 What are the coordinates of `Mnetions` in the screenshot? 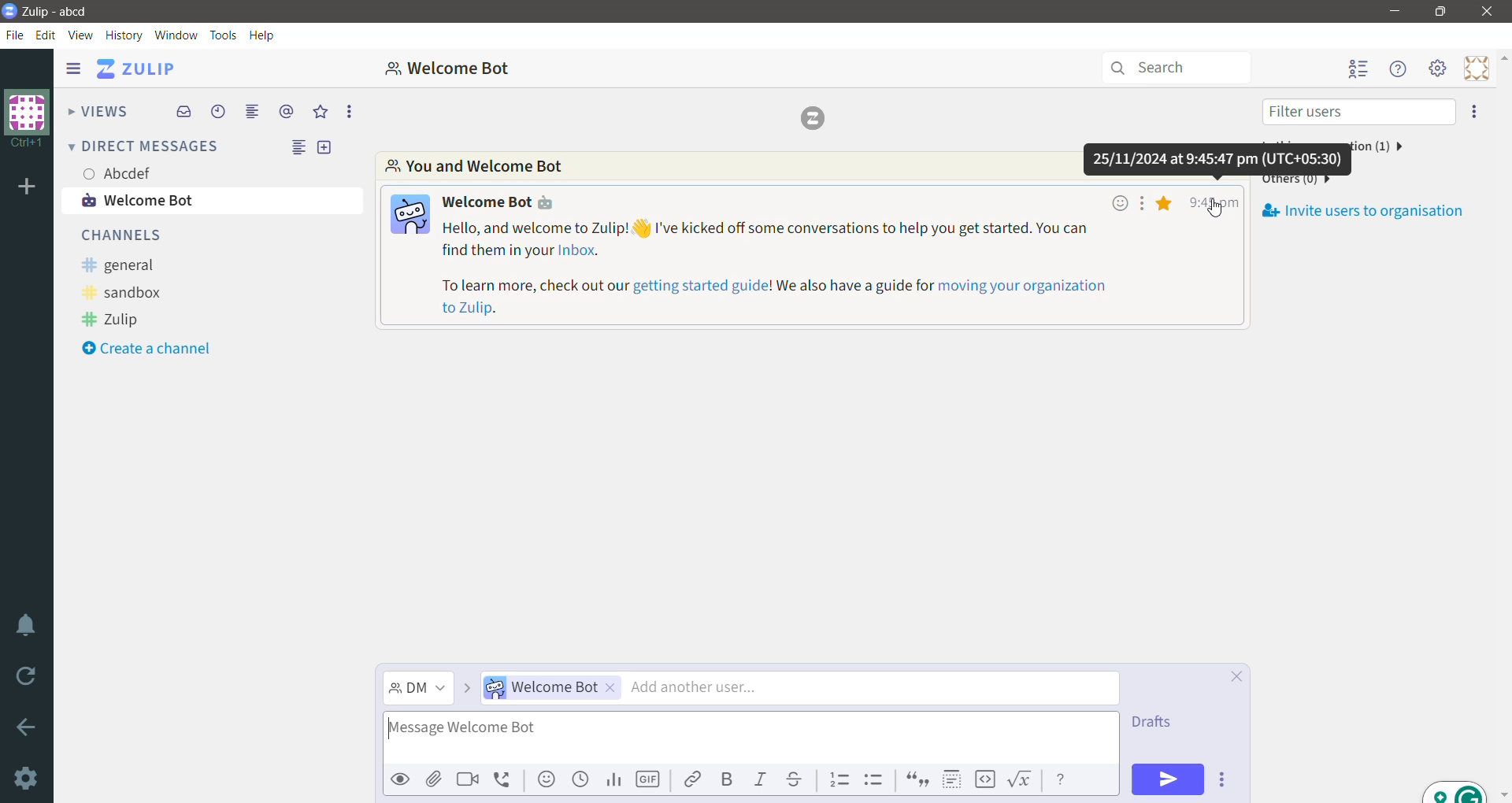 It's located at (286, 113).